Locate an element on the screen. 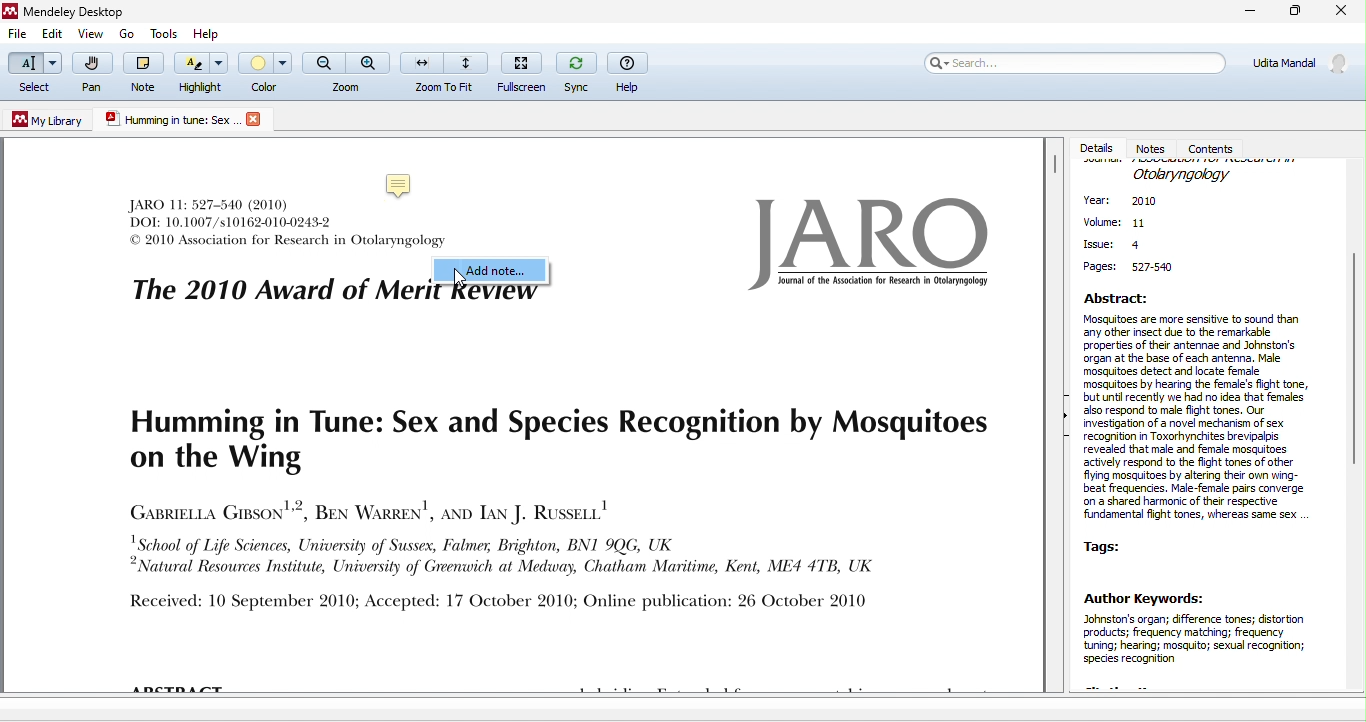  vertical scroll bar is located at coordinates (1353, 354).